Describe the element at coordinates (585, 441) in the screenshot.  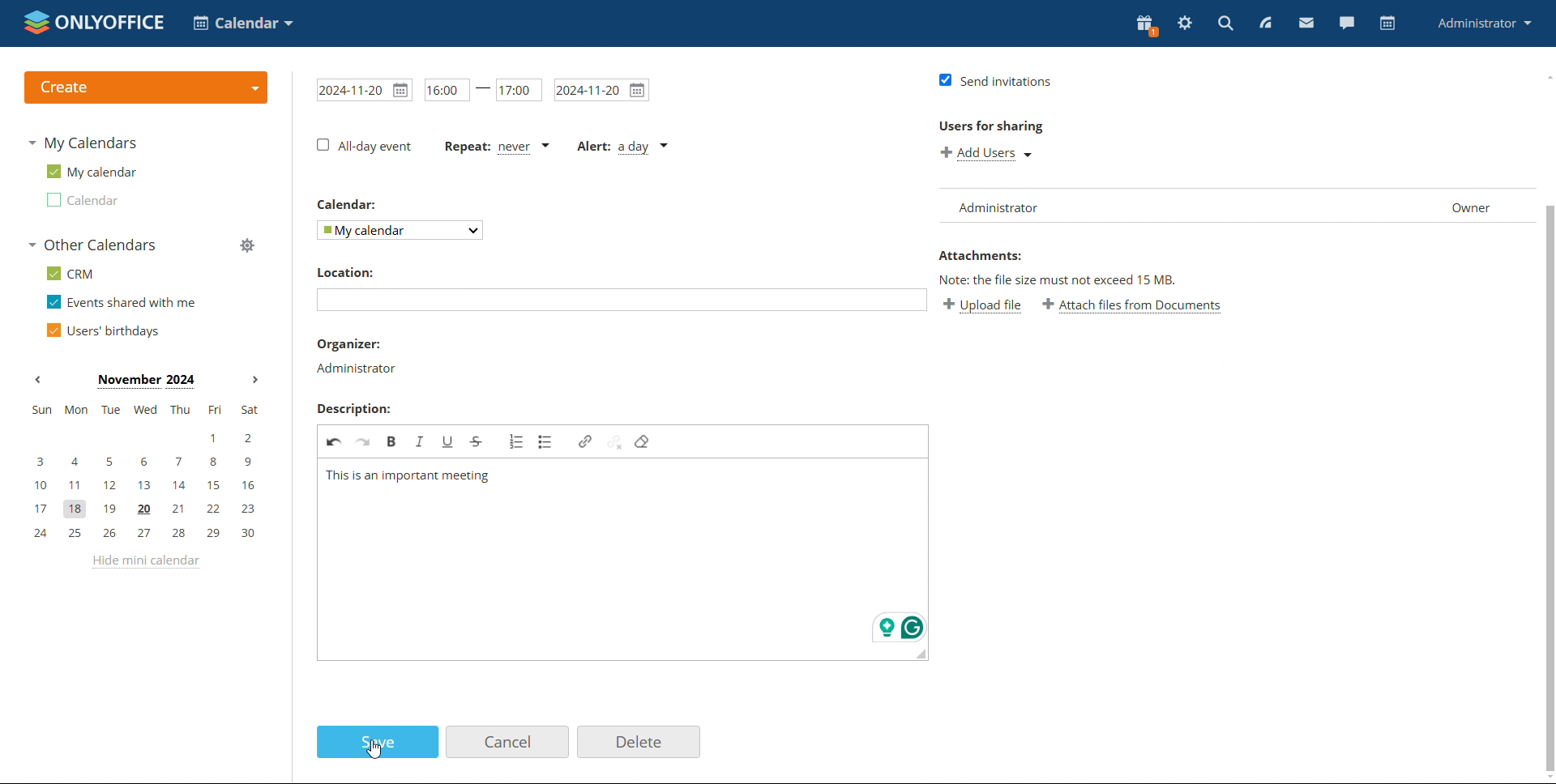
I see `link` at that location.